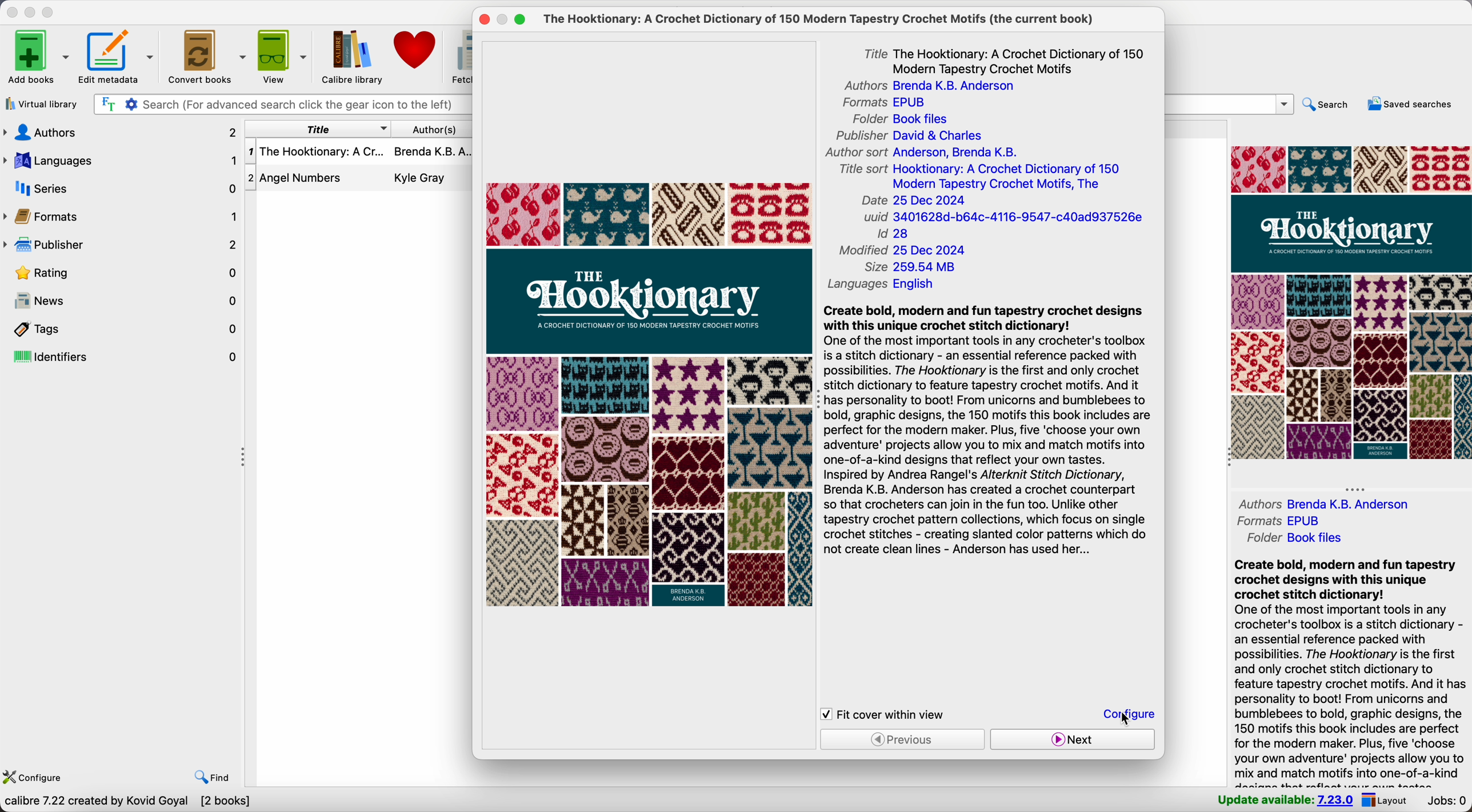 This screenshot has height=812, width=1472. What do you see at coordinates (905, 119) in the screenshot?
I see `folder` at bounding box center [905, 119].